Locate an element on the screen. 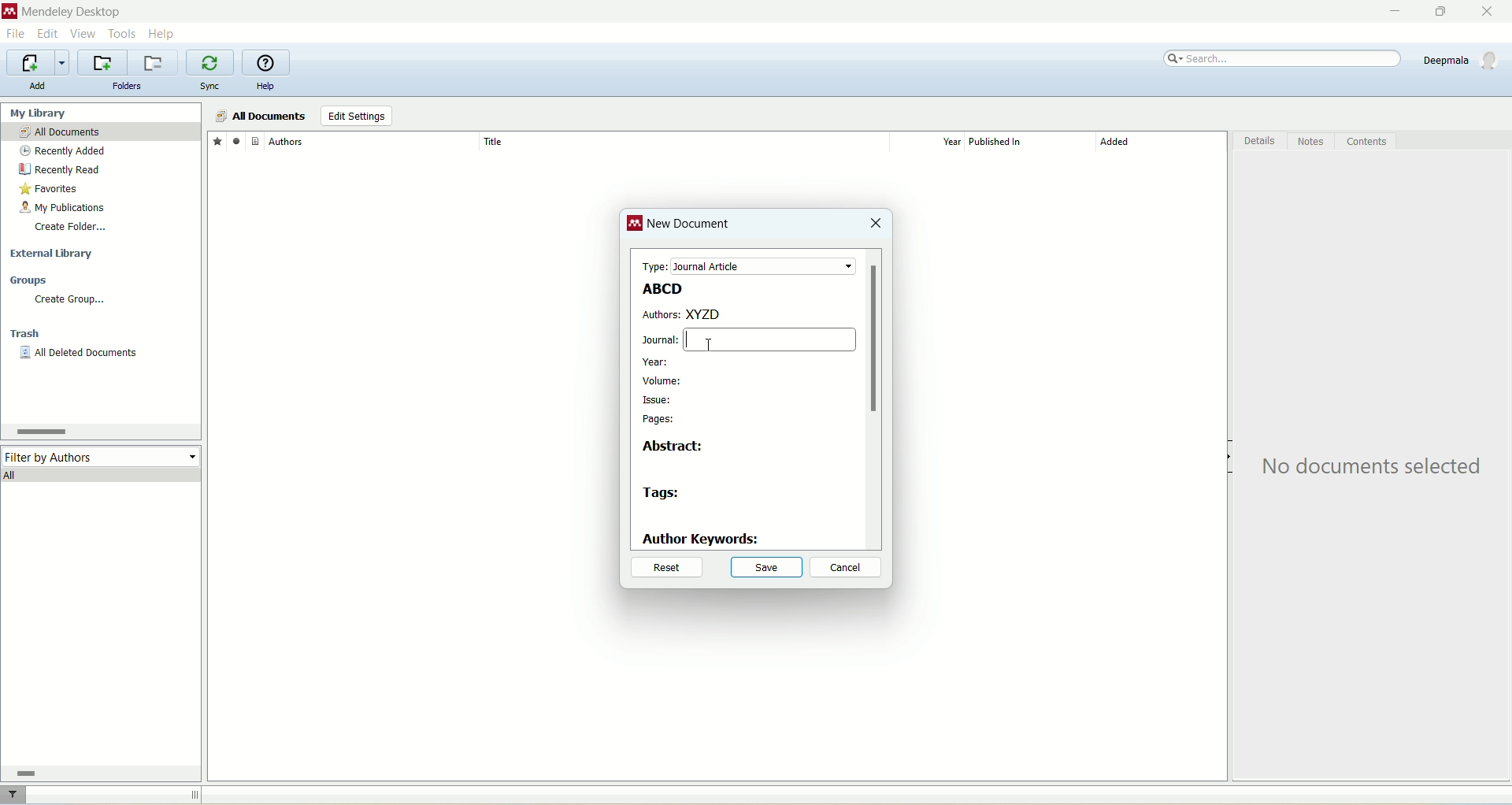 The height and width of the screenshot is (805, 1512). new document is located at coordinates (691, 227).